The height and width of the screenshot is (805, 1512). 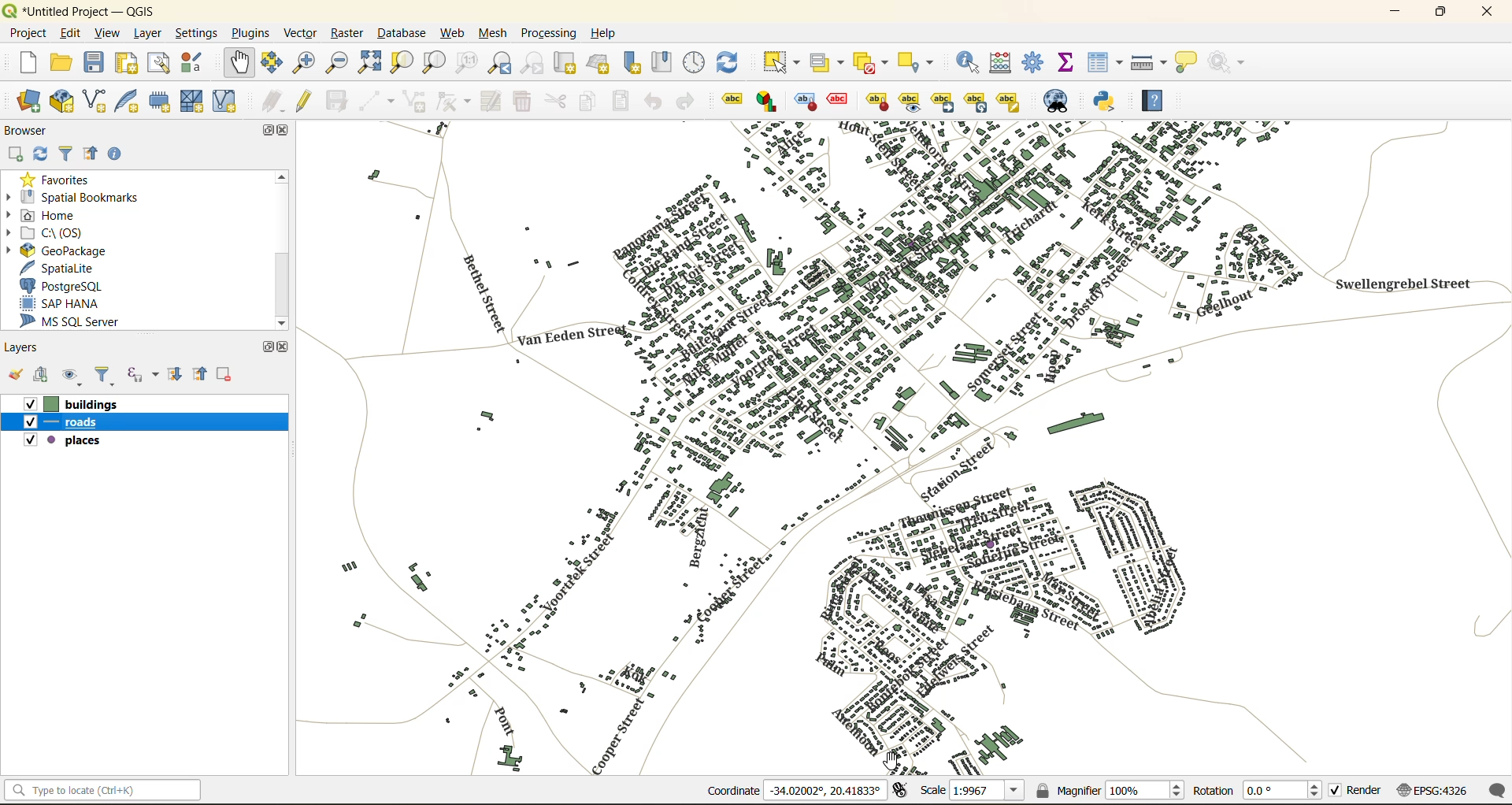 What do you see at coordinates (590, 102) in the screenshot?
I see `copy` at bounding box center [590, 102].